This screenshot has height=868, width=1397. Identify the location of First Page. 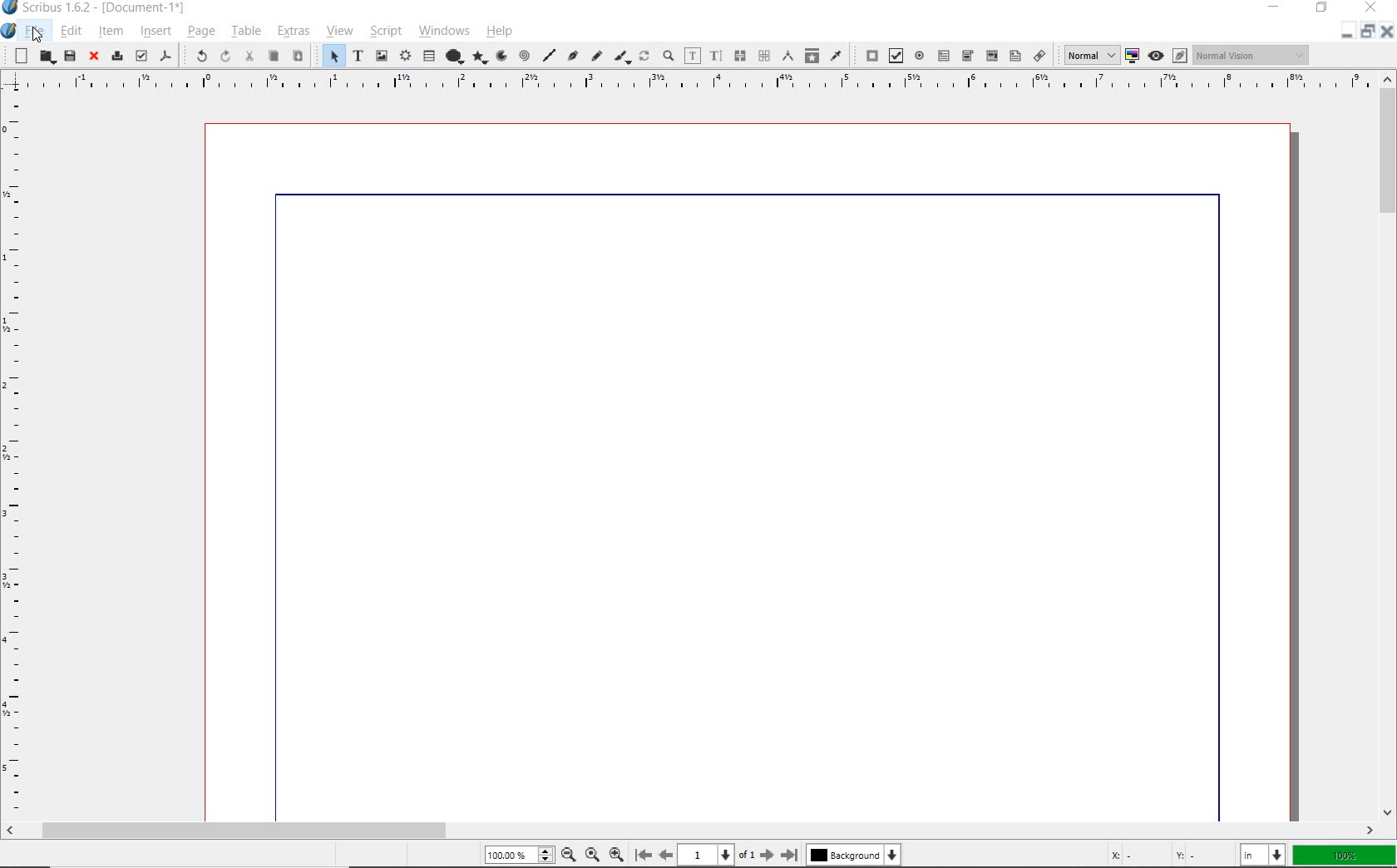
(643, 854).